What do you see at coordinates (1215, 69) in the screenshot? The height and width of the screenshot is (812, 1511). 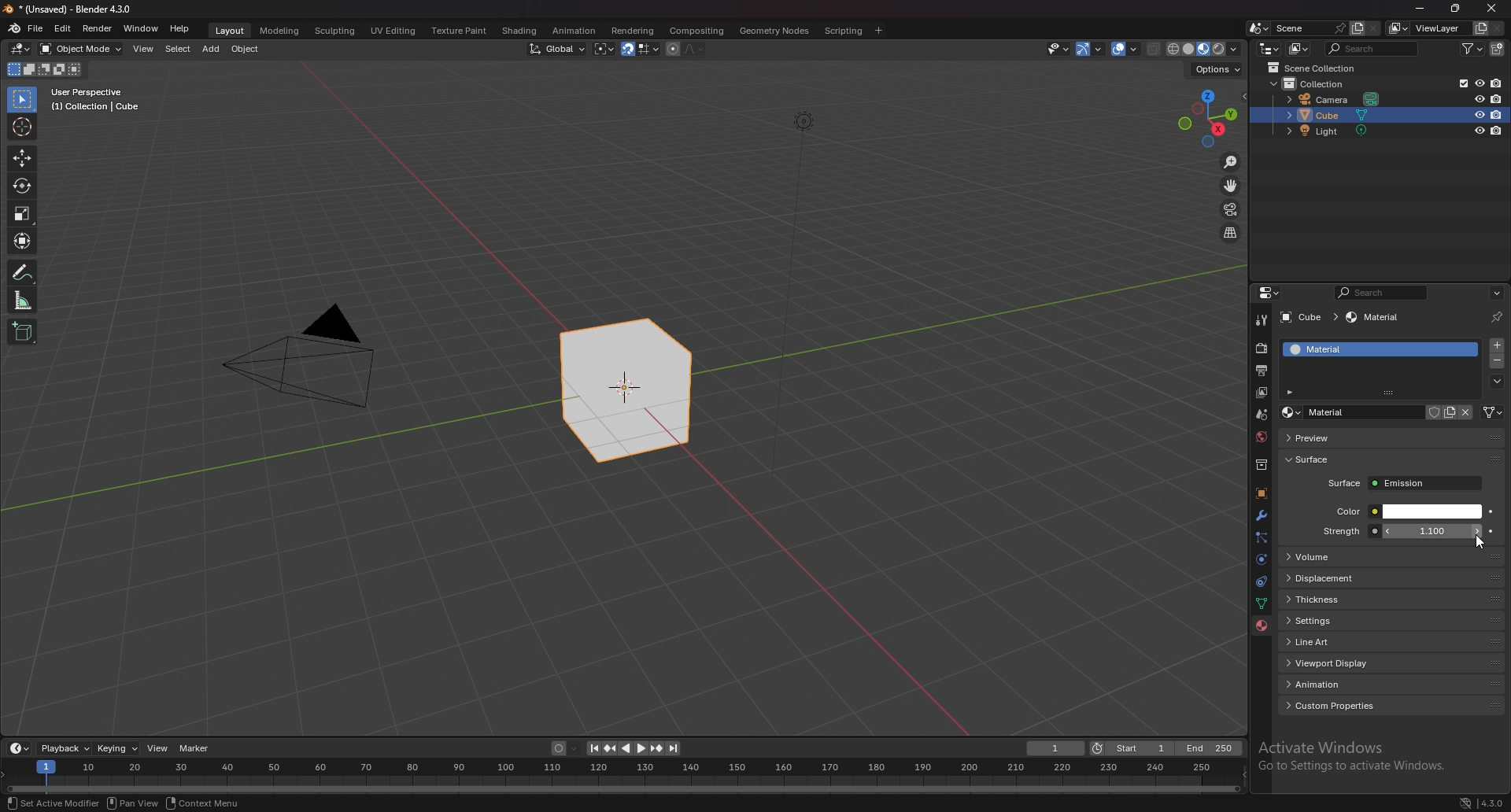 I see `options` at bounding box center [1215, 69].